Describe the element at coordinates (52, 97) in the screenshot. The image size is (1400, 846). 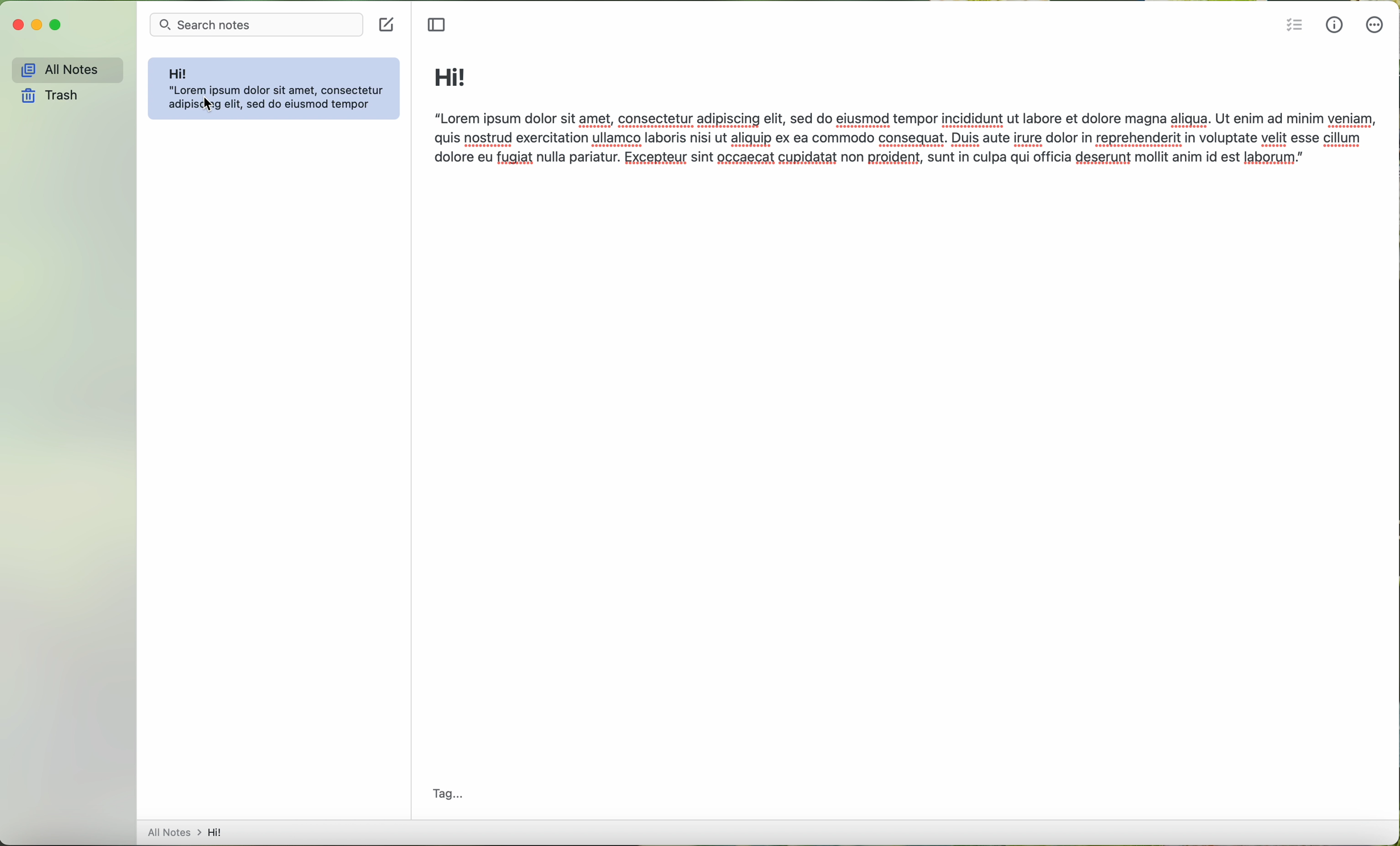
I see `trash` at that location.